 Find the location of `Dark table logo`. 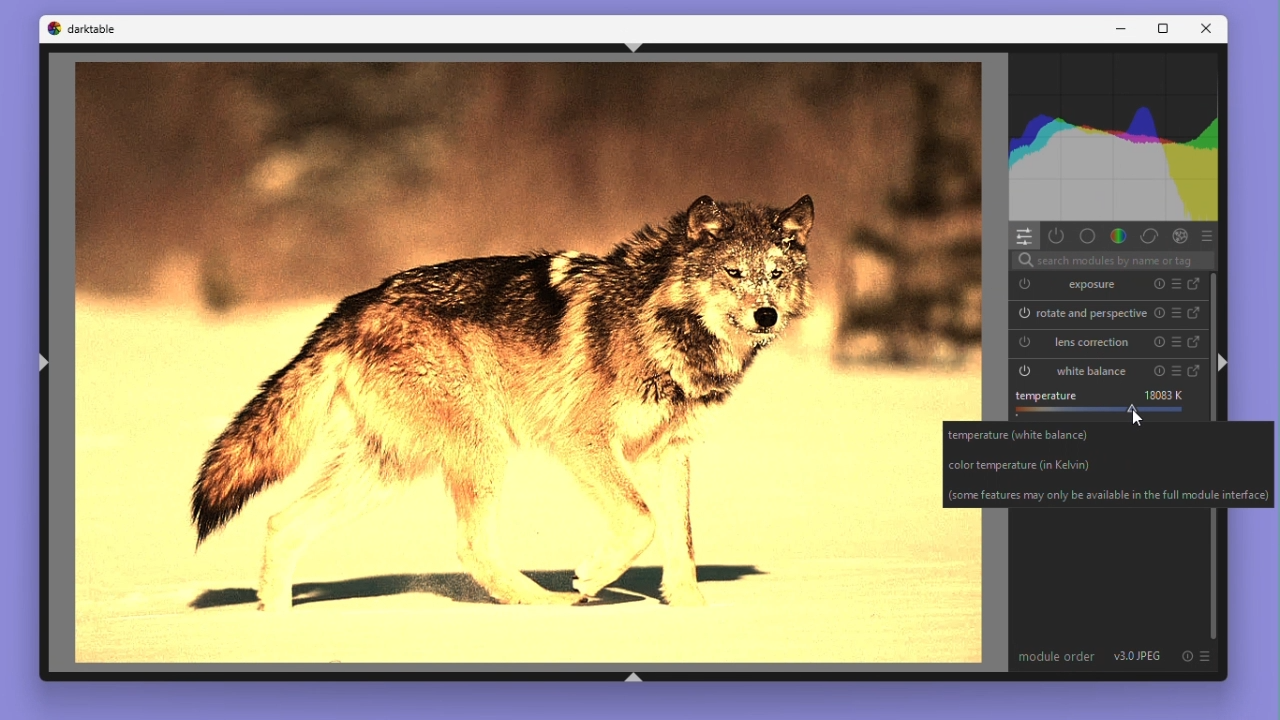

Dark table logo is located at coordinates (84, 31).